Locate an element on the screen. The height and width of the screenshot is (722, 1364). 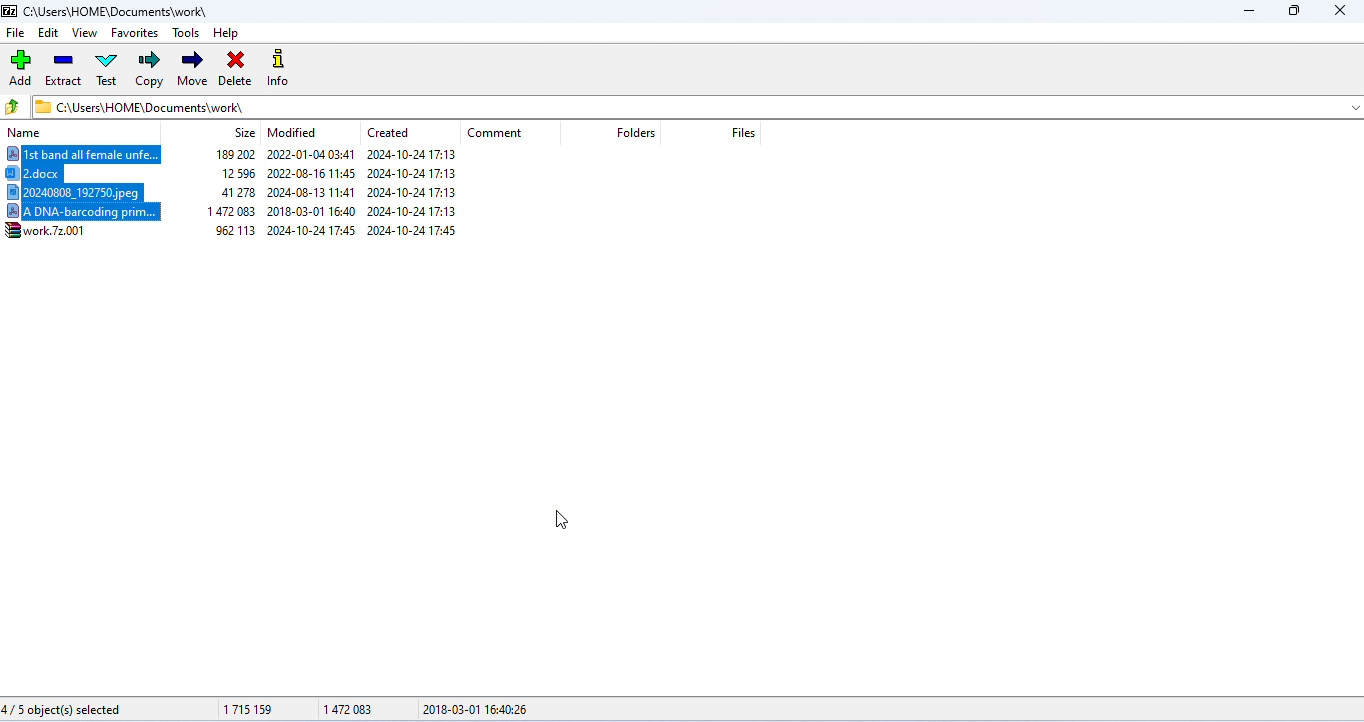
favorites is located at coordinates (136, 32).